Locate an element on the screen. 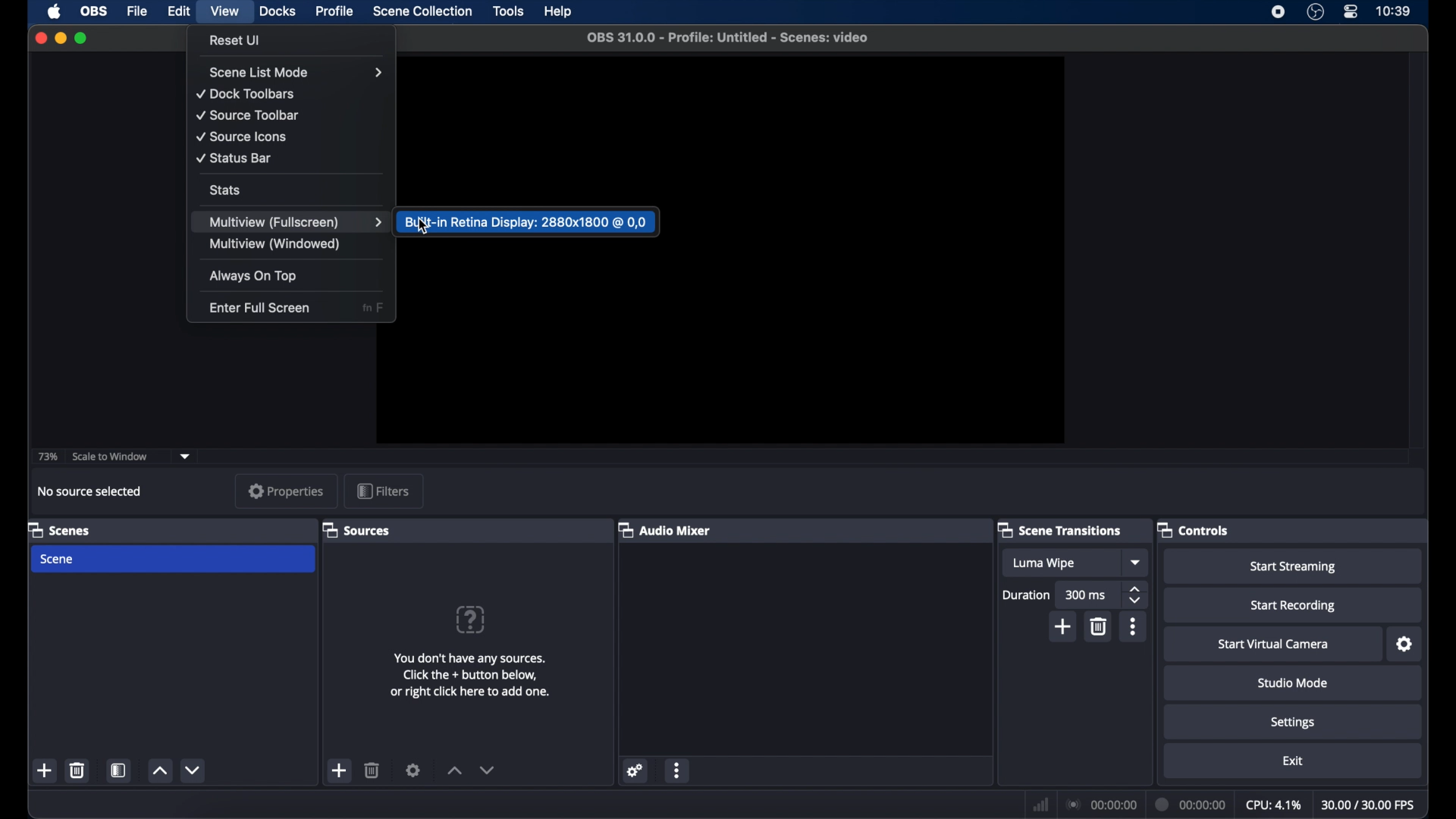  help is located at coordinates (557, 12).